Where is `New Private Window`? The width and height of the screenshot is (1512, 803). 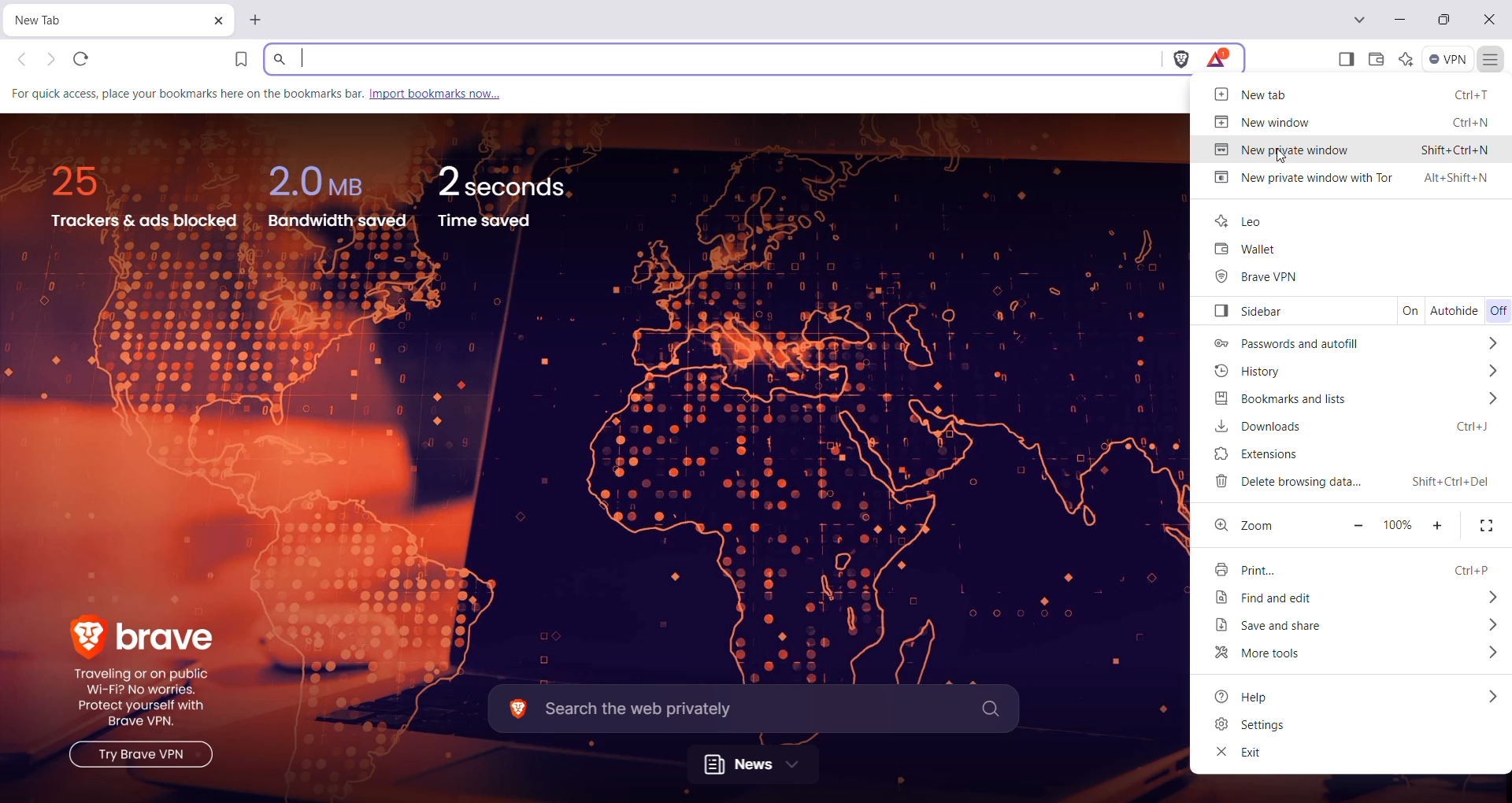
New Private Window is located at coordinates (1352, 150).